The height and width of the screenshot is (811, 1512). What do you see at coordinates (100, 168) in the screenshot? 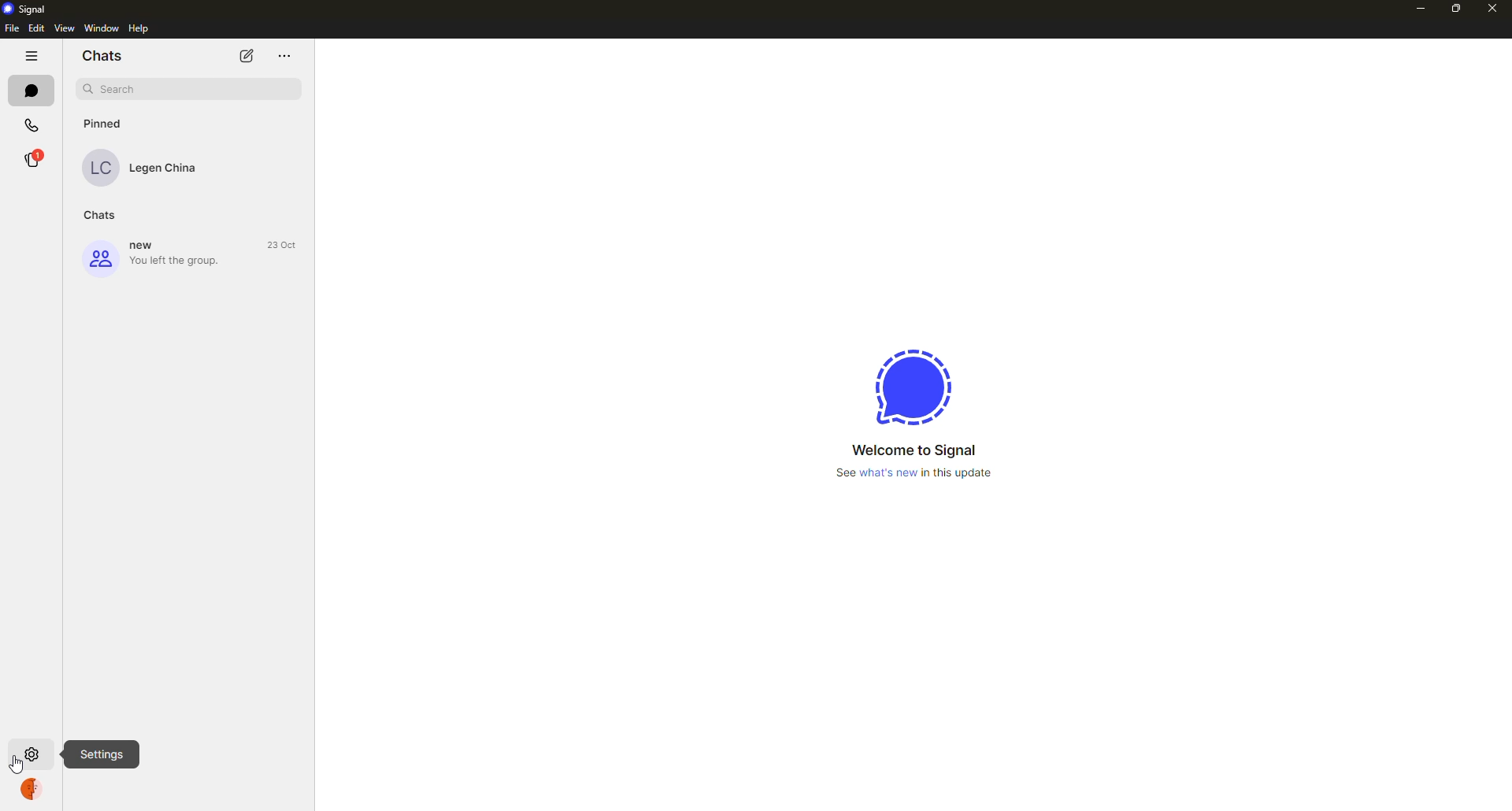
I see `LC` at bounding box center [100, 168].